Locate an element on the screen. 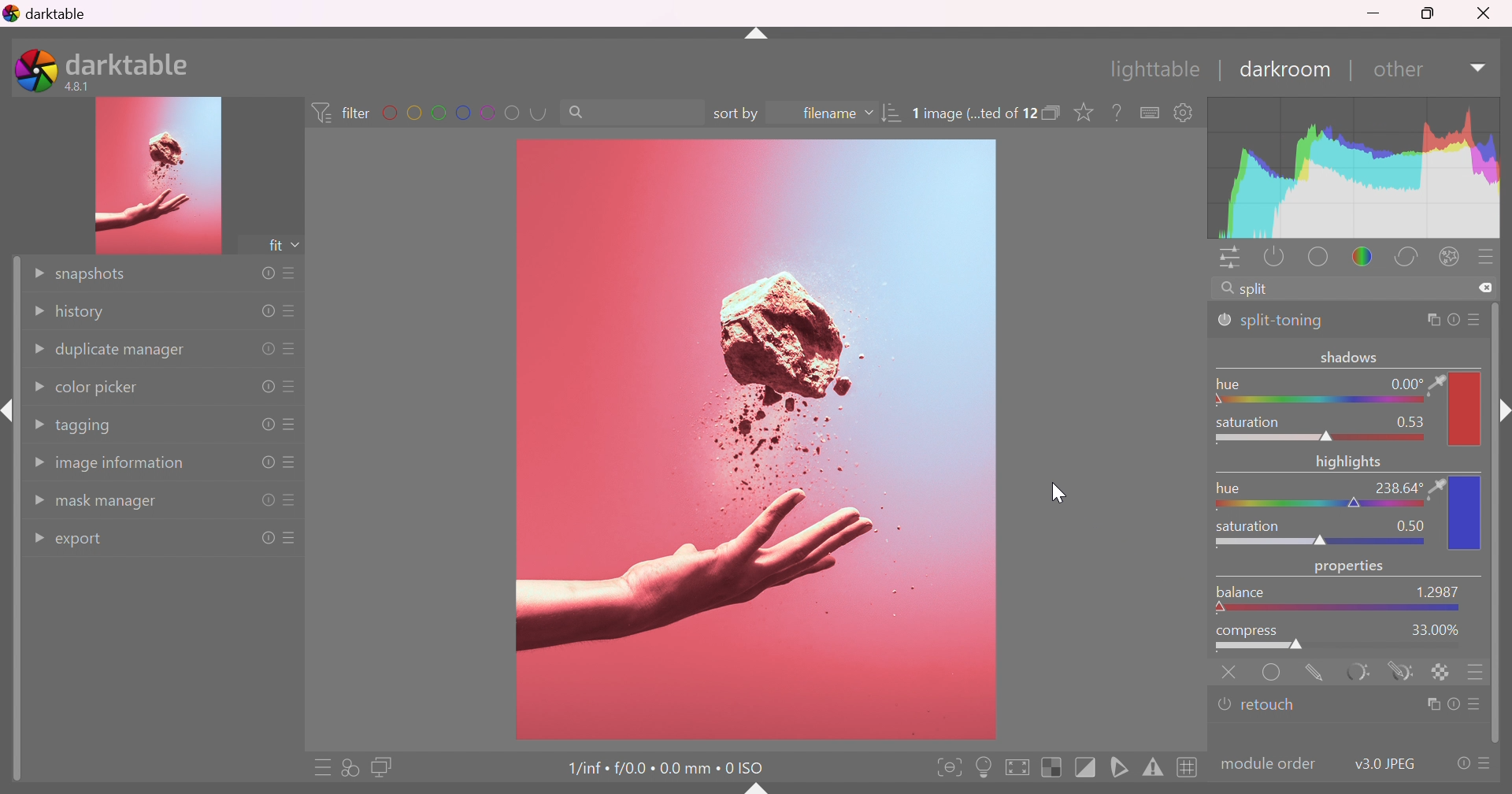 The width and height of the screenshot is (1512, 794). slider is located at coordinates (1341, 610).